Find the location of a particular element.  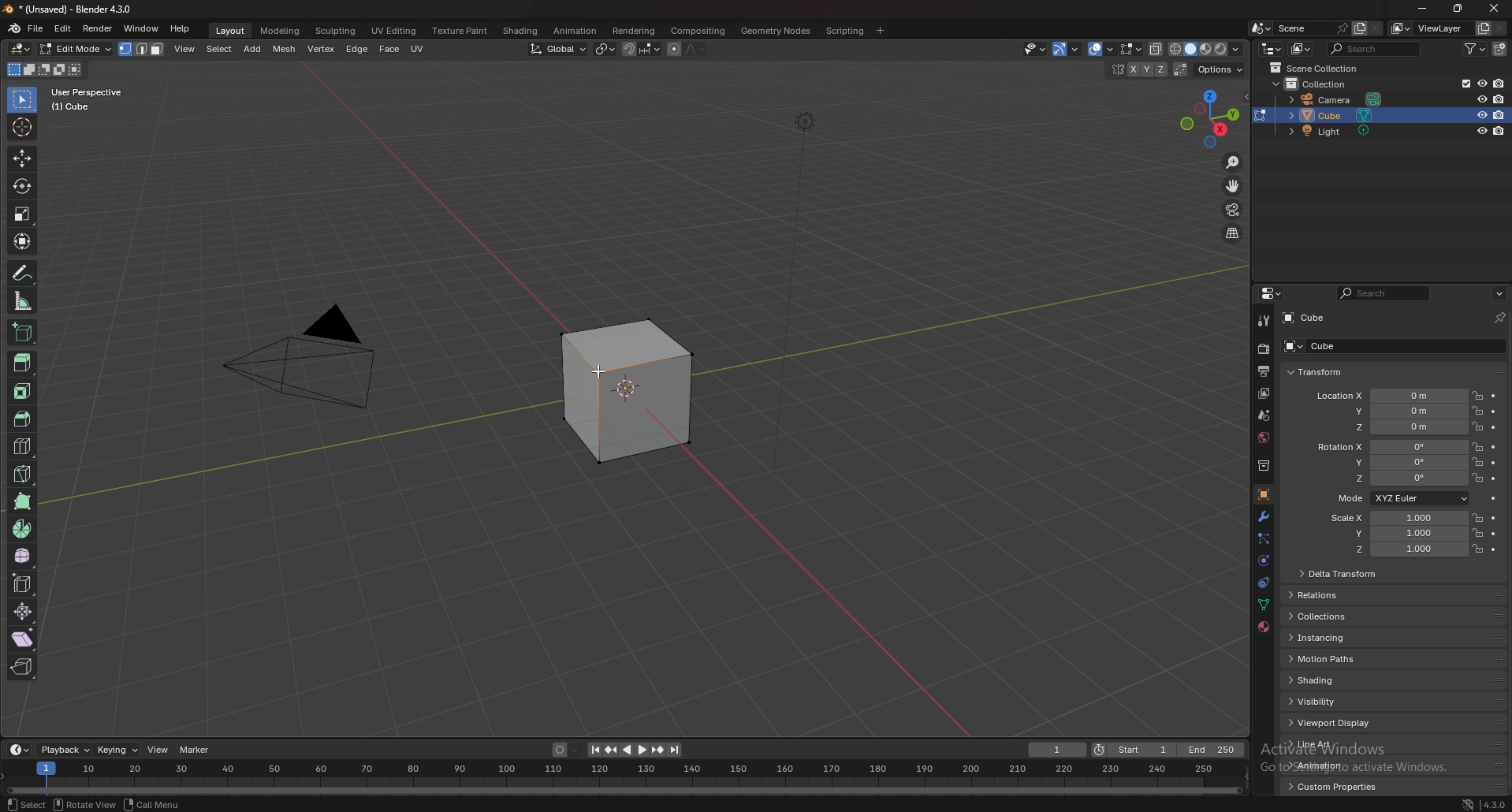

delete scene is located at coordinates (1376, 28).